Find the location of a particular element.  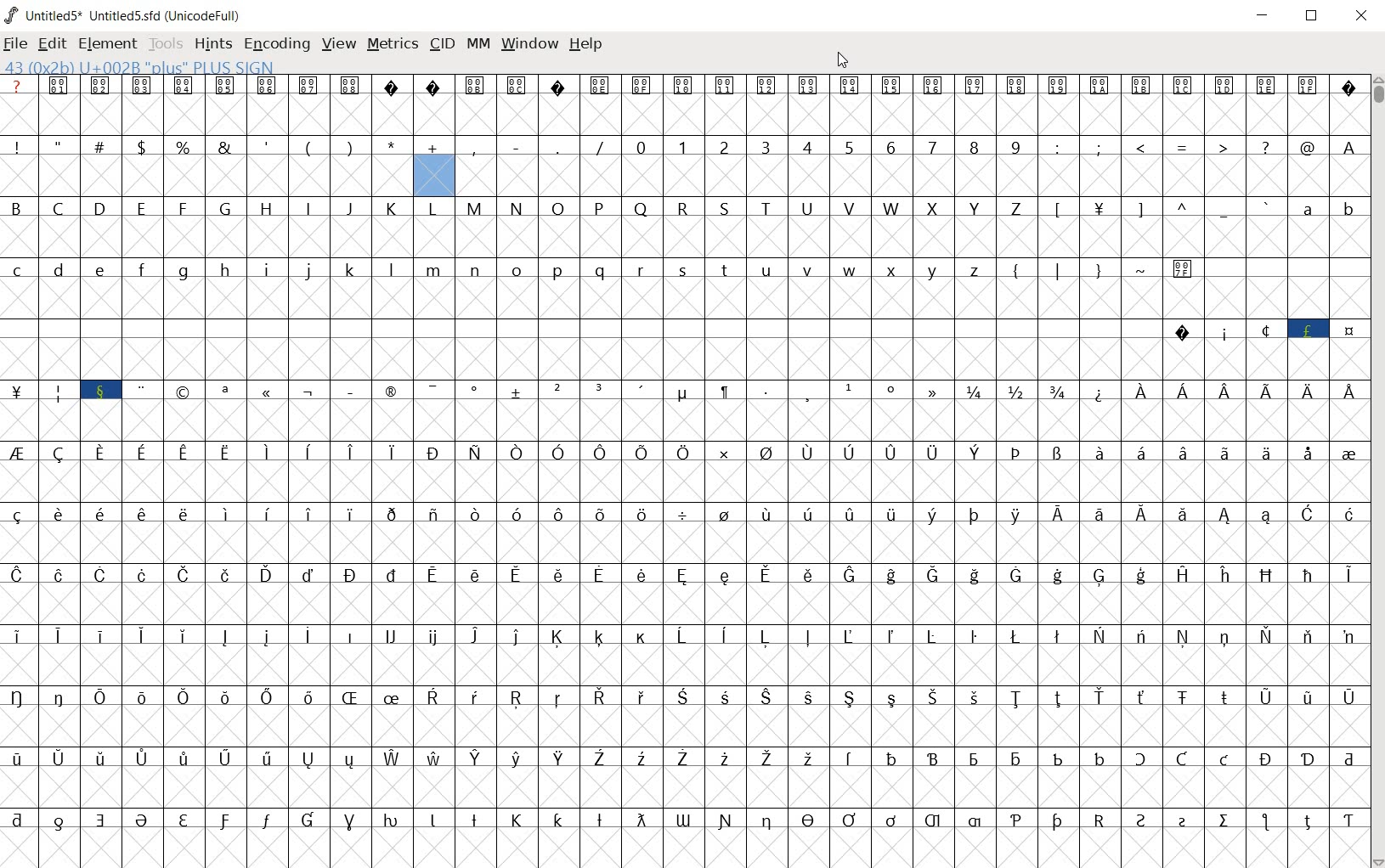

L is located at coordinates (1061, 227).